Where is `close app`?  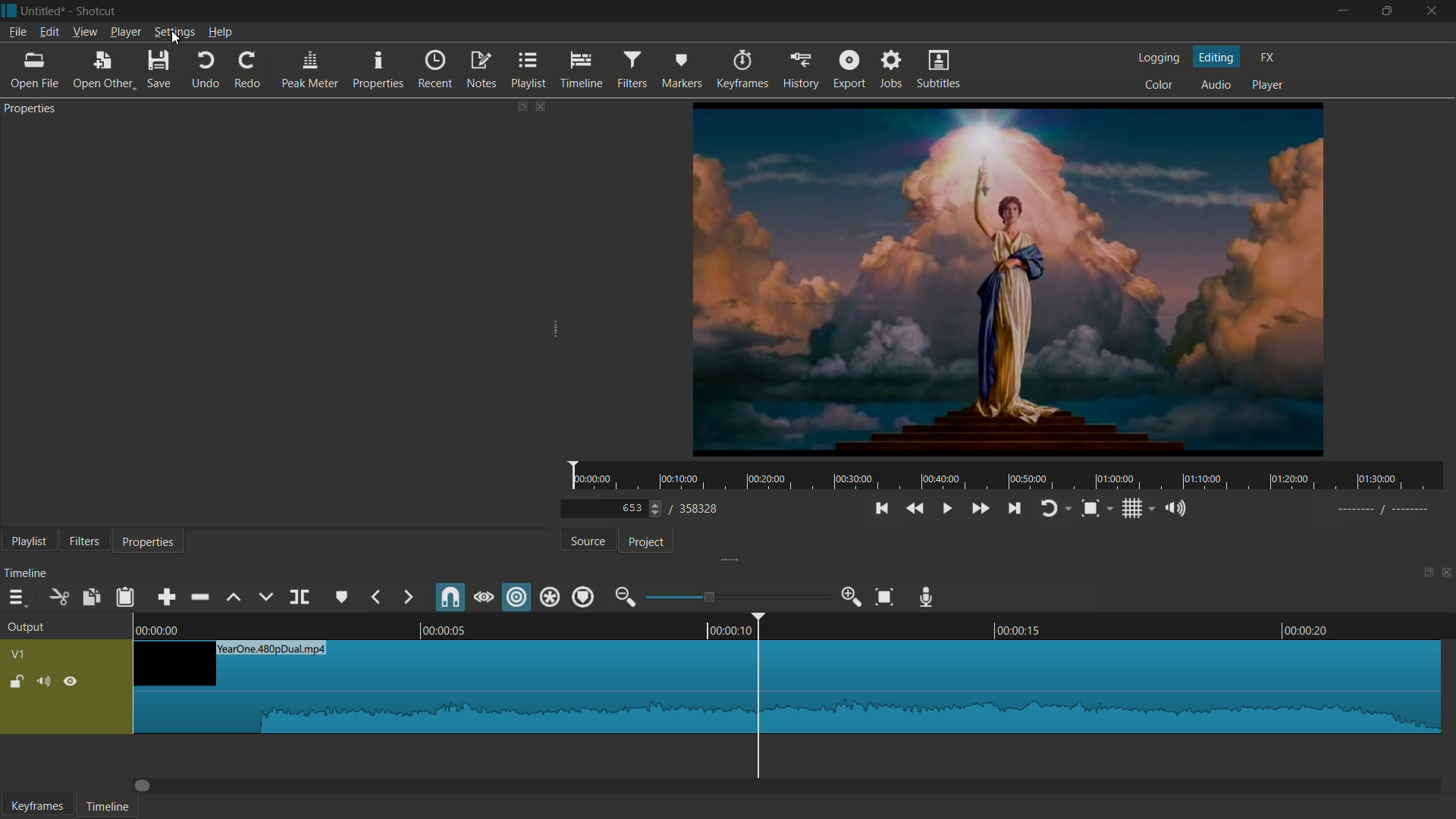
close app is located at coordinates (1435, 11).